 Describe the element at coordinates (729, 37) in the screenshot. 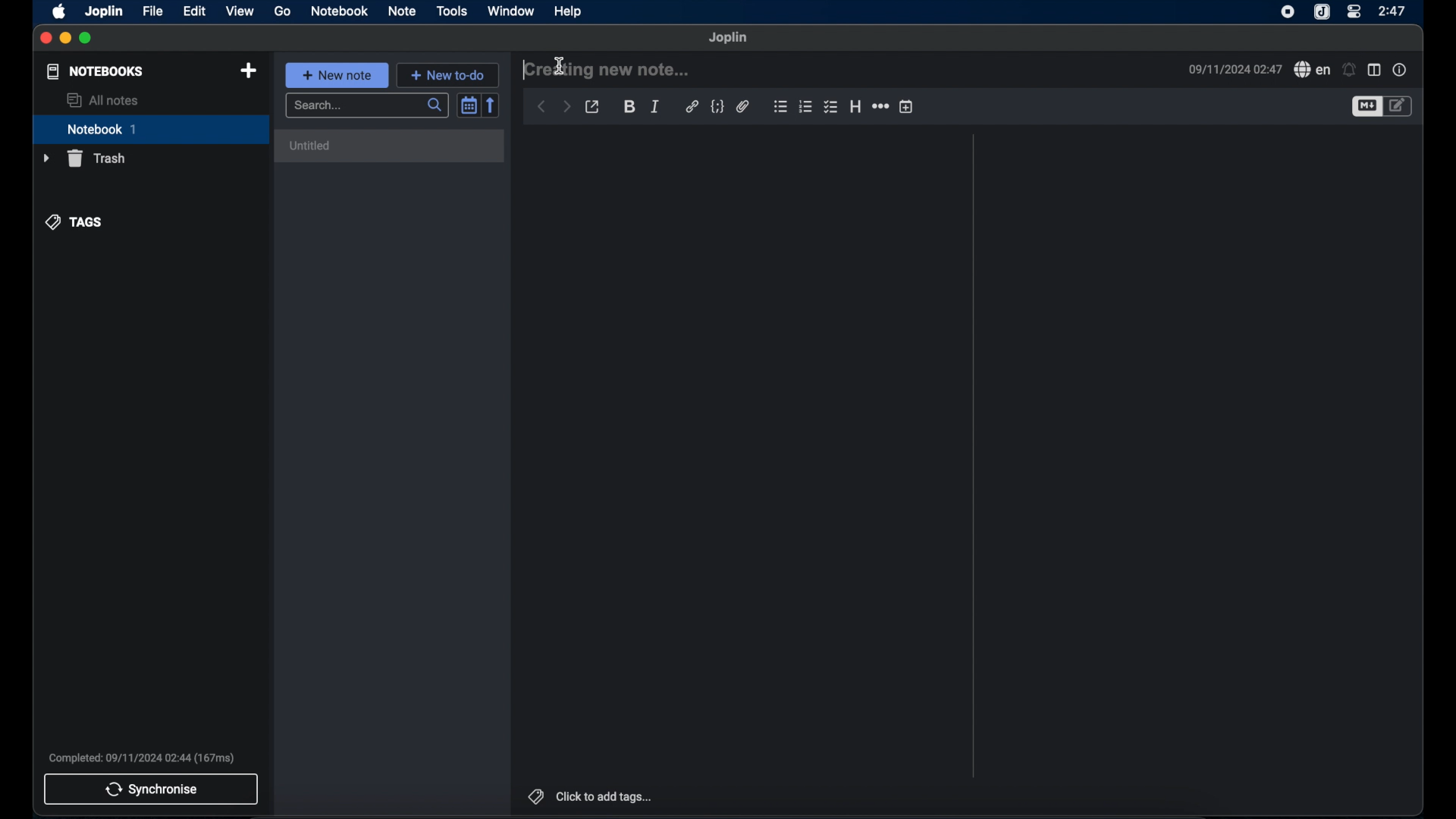

I see `joplin` at that location.